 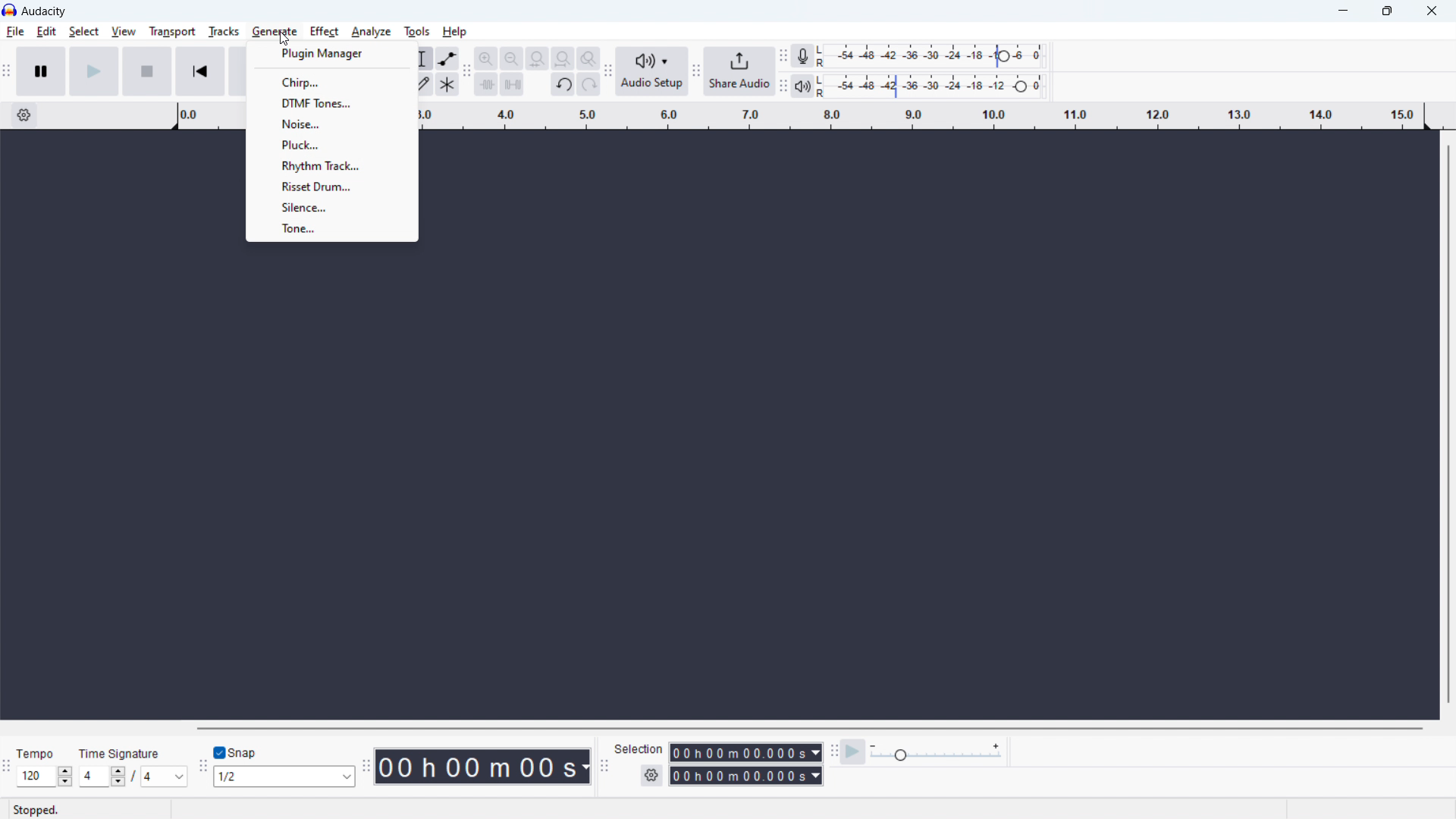 What do you see at coordinates (802, 85) in the screenshot?
I see `playback meter` at bounding box center [802, 85].